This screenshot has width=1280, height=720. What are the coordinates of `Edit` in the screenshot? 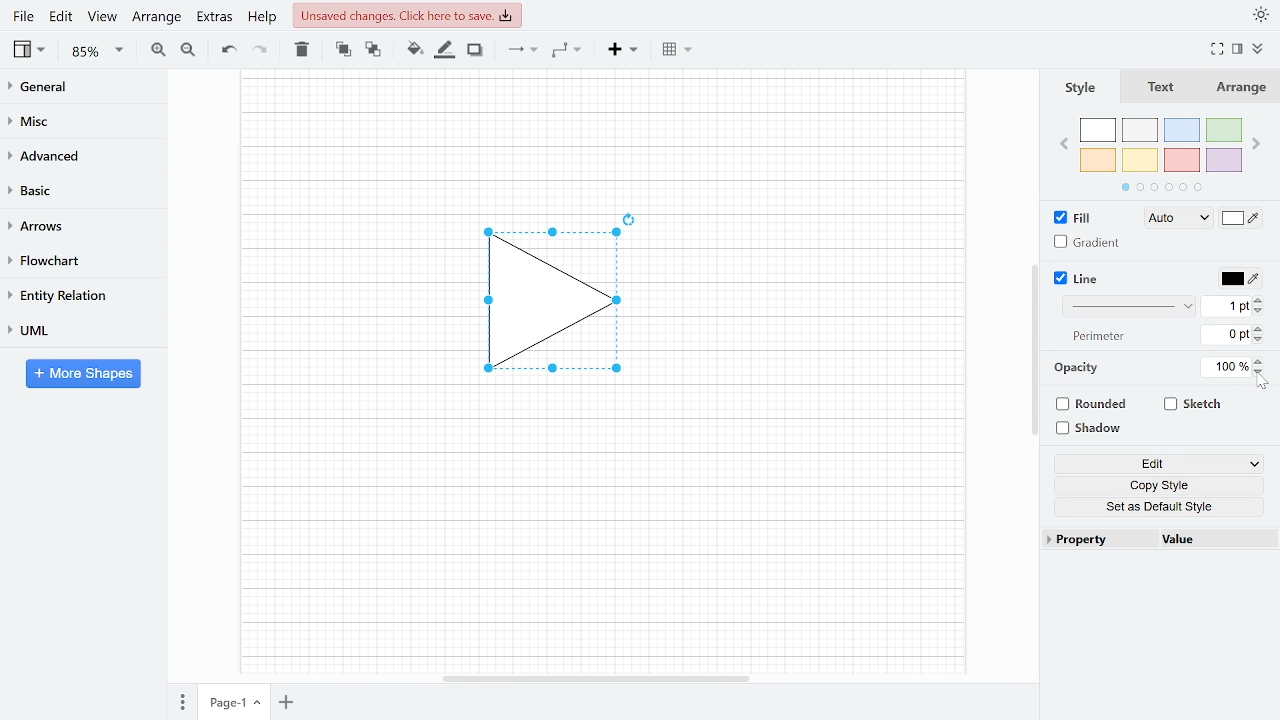 It's located at (62, 16).